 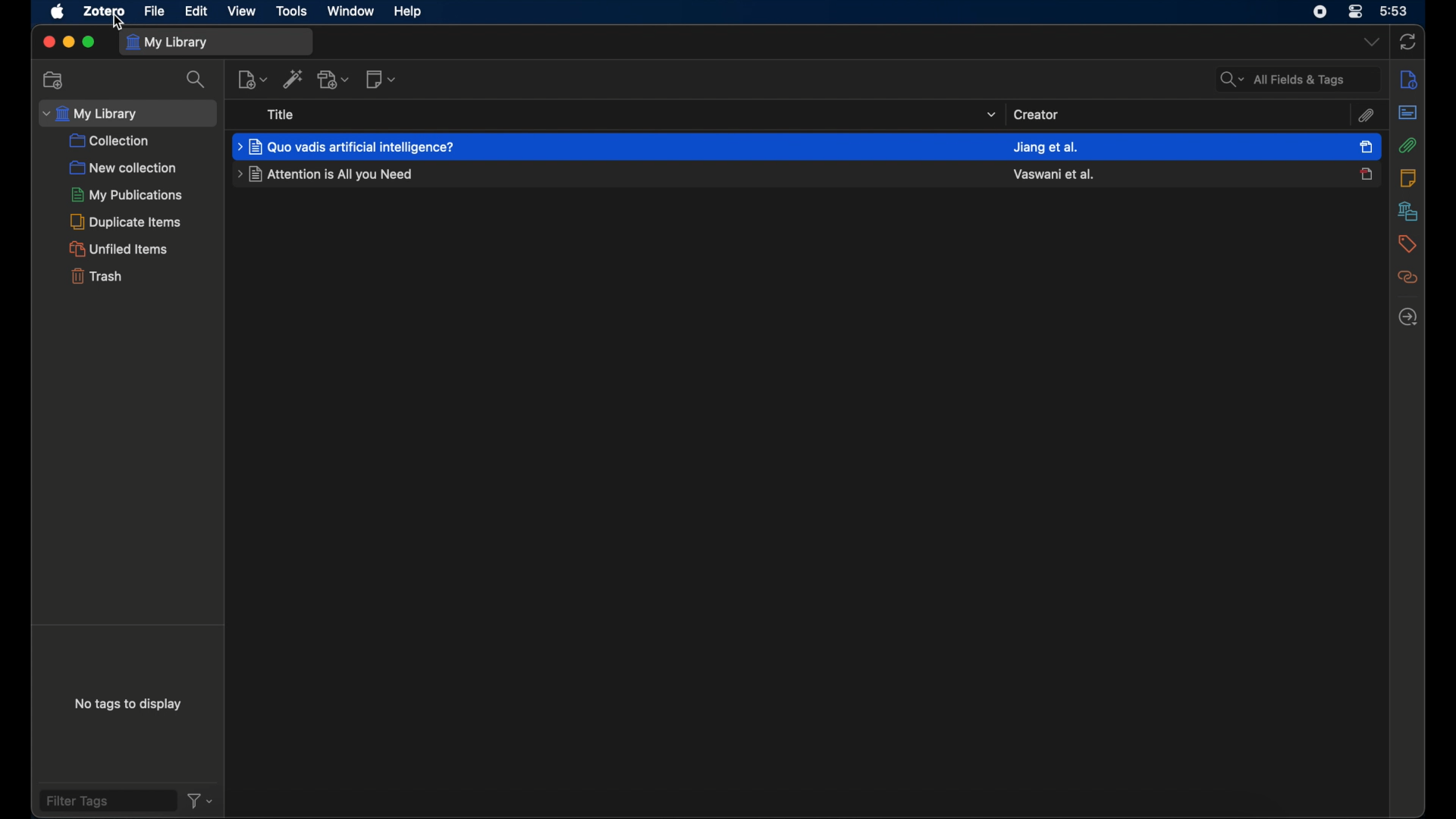 I want to click on locate, so click(x=1408, y=316).